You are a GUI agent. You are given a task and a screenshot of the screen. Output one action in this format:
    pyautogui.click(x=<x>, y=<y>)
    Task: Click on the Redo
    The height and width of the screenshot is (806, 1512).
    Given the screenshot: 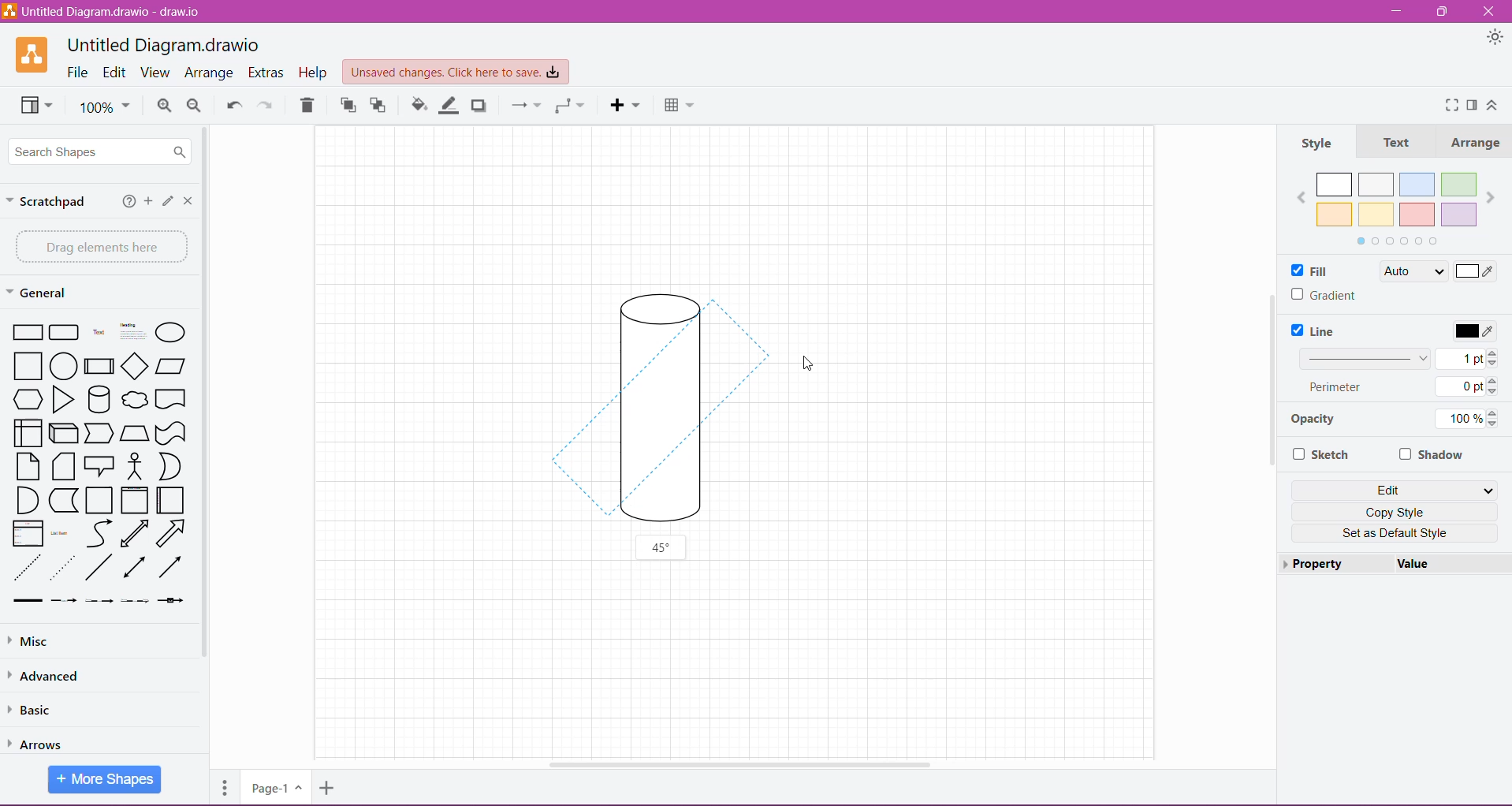 What is the action you would take?
    pyautogui.click(x=268, y=106)
    